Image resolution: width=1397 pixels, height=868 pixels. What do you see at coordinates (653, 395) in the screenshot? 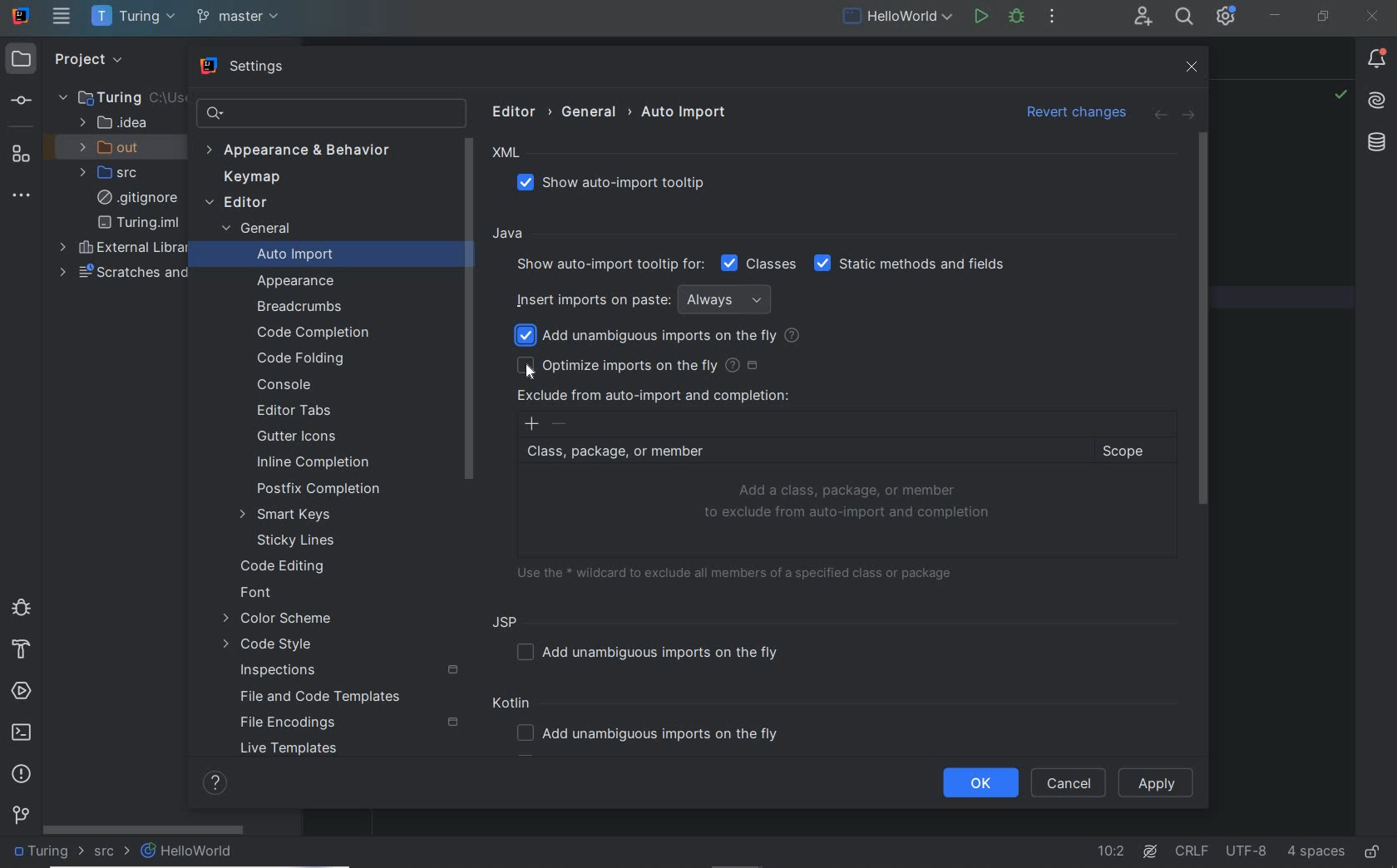
I see `EXCLUDE FROM AUTO-IMPORT AND COMPLETION` at bounding box center [653, 395].